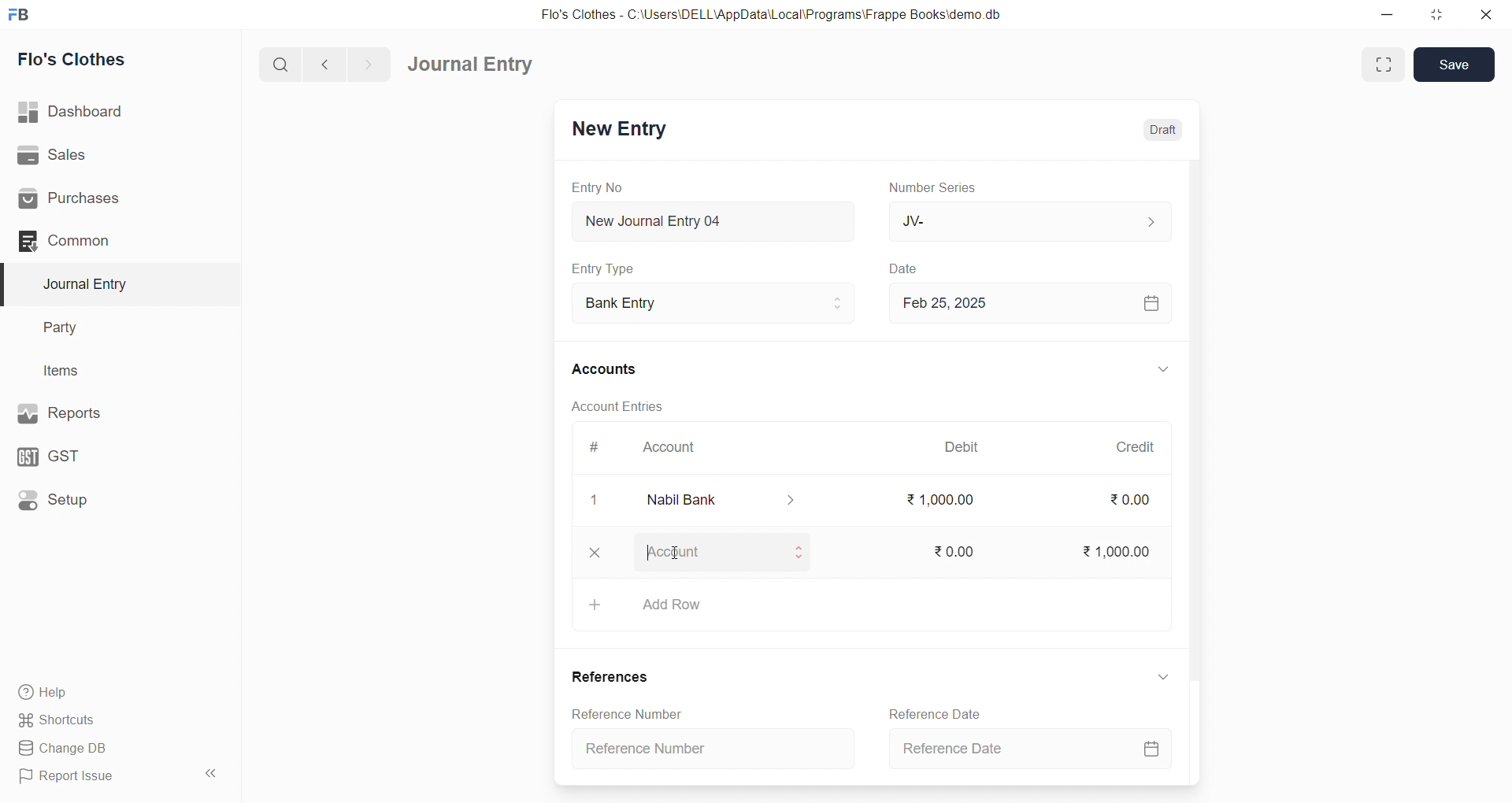  I want to click on Items, so click(109, 372).